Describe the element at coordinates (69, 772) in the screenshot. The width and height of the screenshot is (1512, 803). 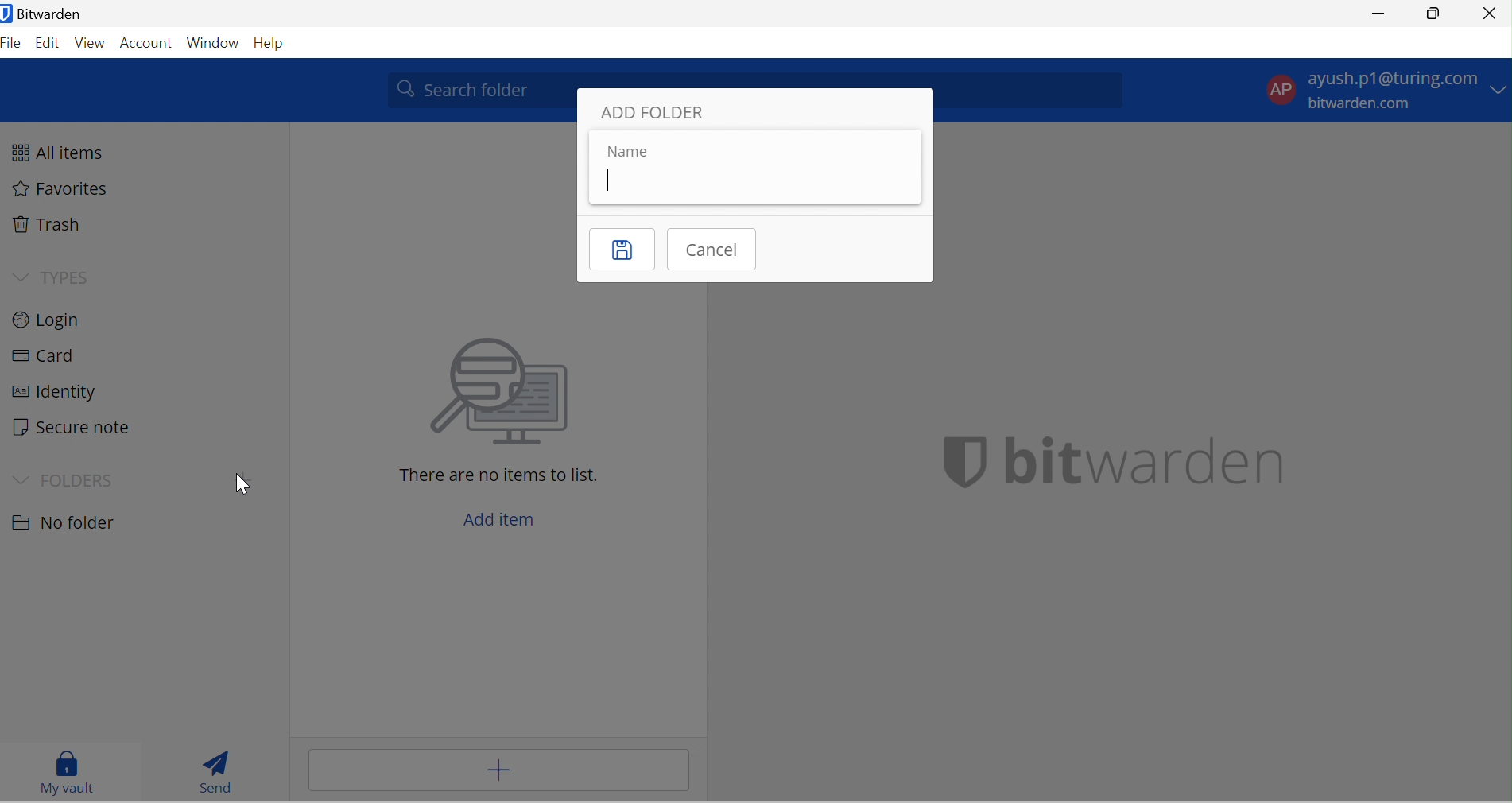
I see `My Vault` at that location.